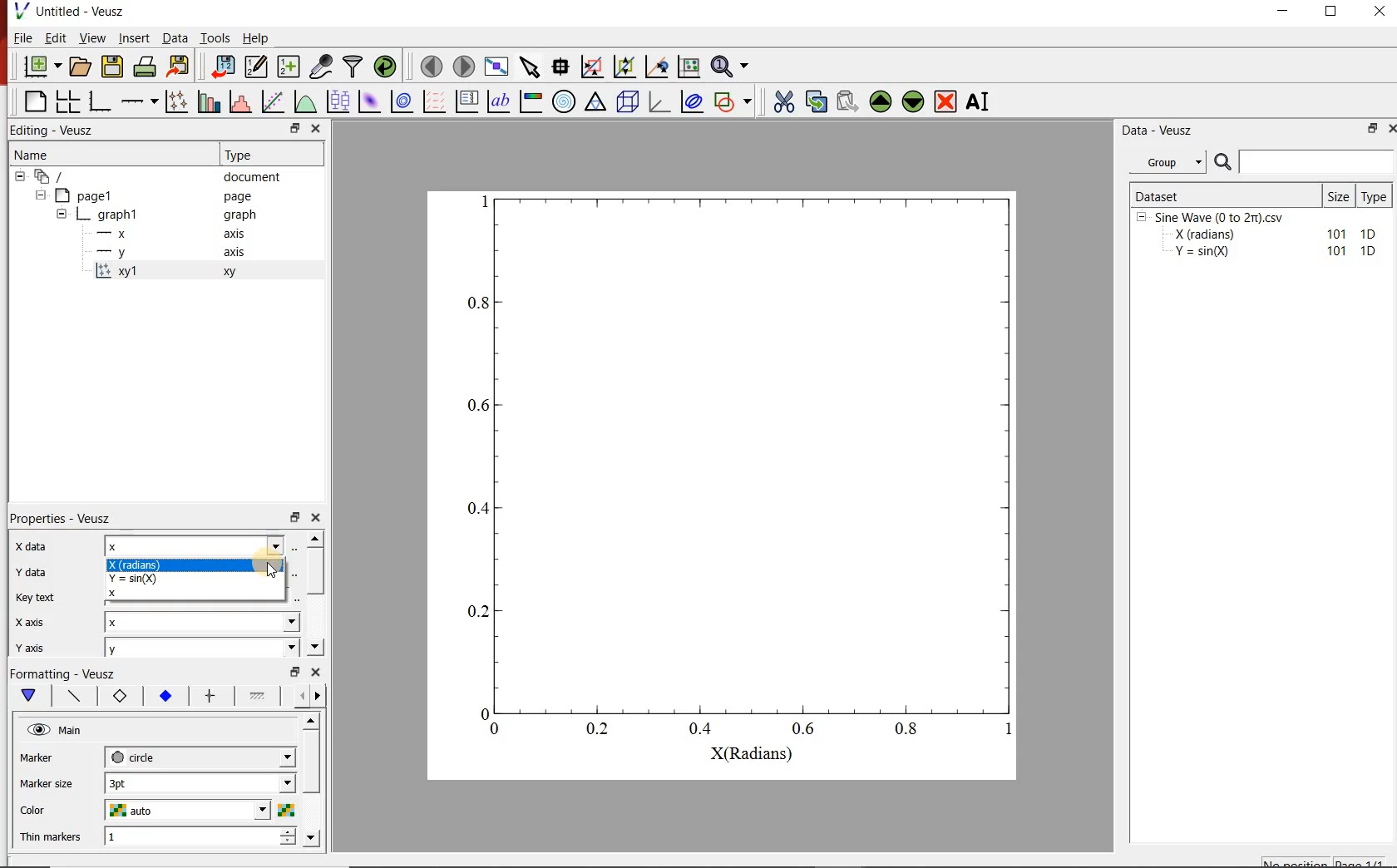 The height and width of the screenshot is (868, 1397). I want to click on text label, so click(499, 101).